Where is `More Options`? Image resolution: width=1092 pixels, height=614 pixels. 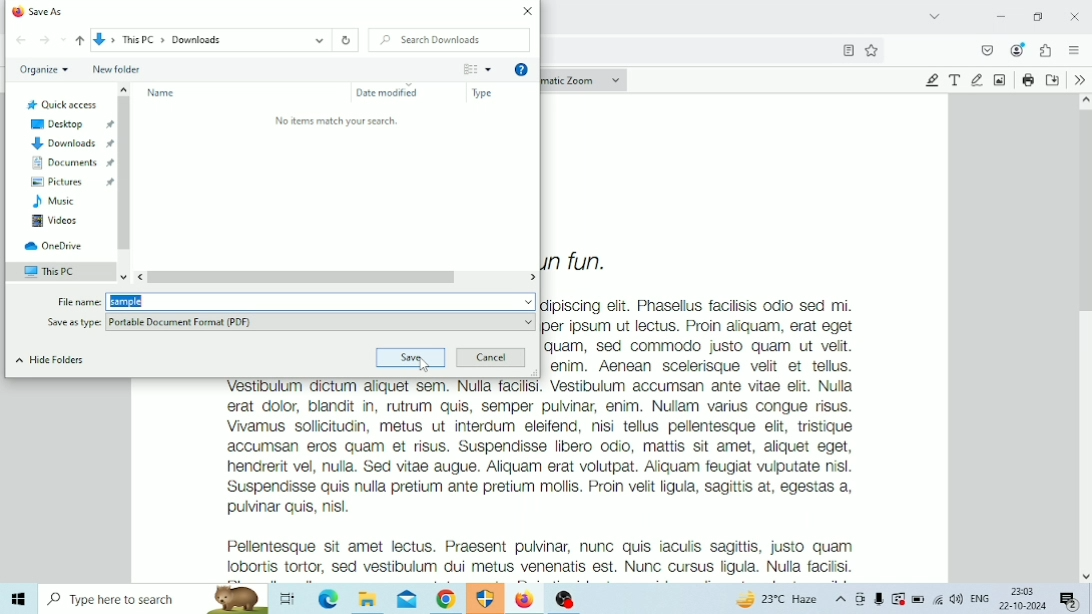
More Options is located at coordinates (480, 69).